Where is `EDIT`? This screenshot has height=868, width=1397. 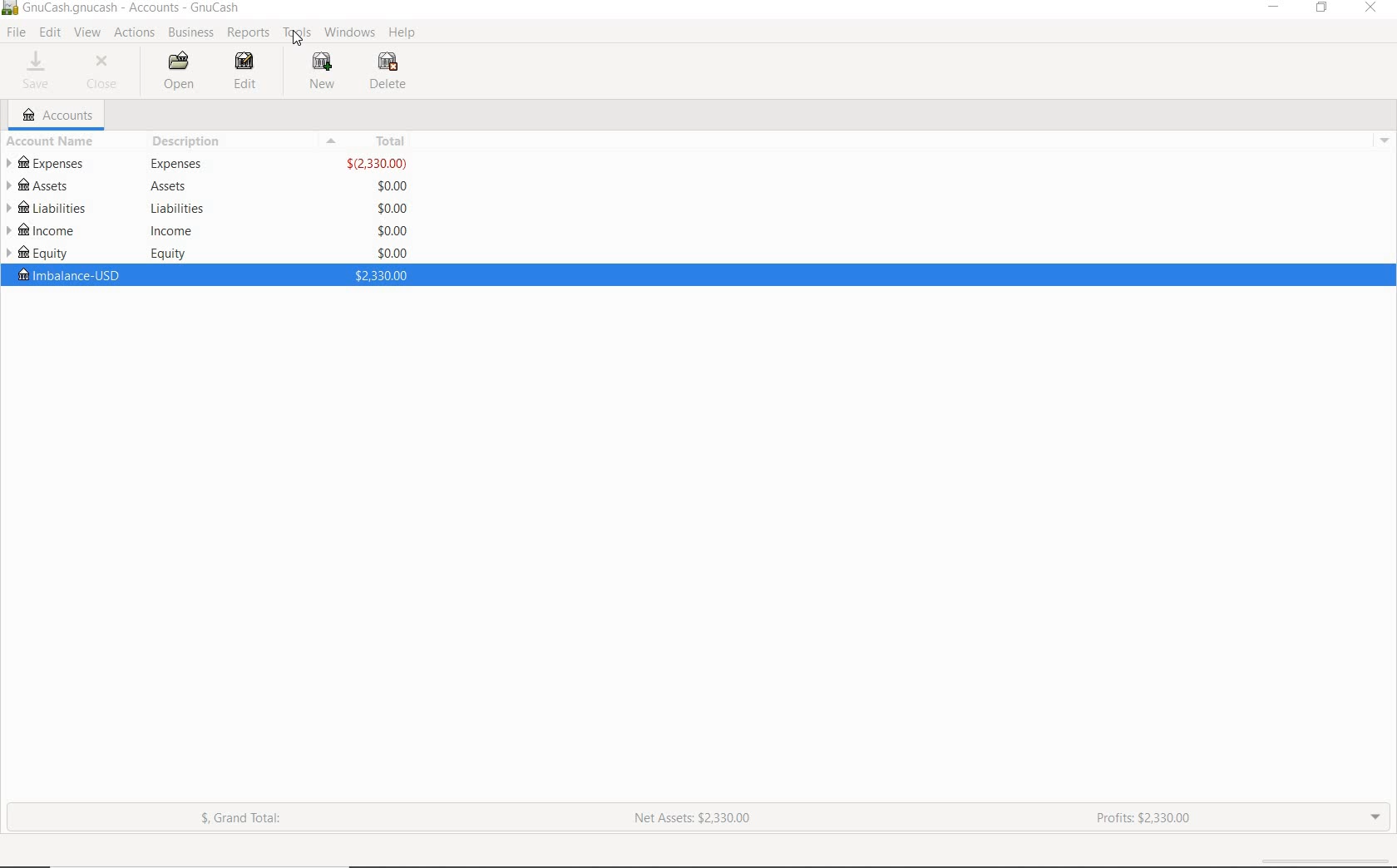
EDIT is located at coordinates (249, 72).